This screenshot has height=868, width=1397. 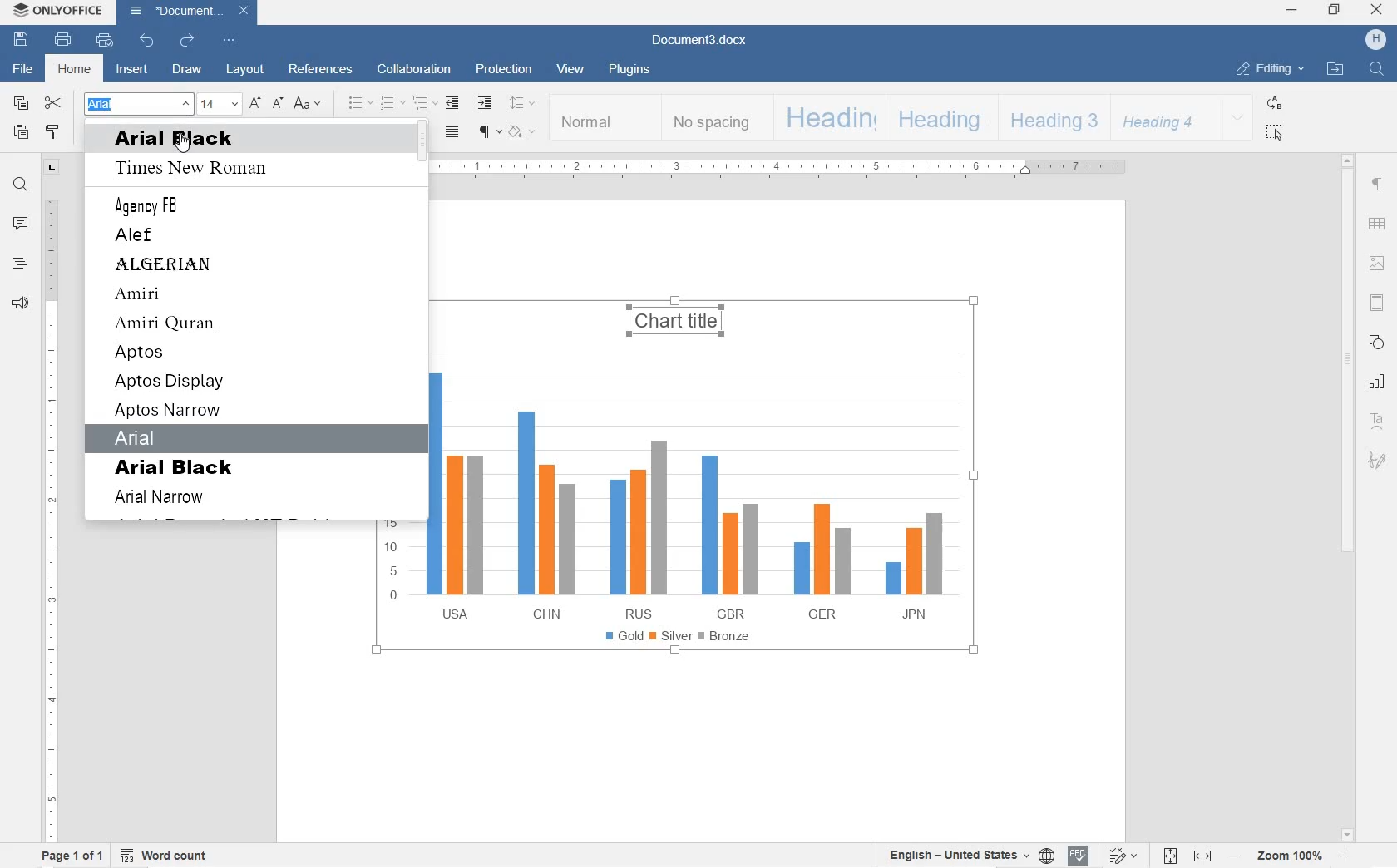 I want to click on REPLACE, so click(x=1272, y=102).